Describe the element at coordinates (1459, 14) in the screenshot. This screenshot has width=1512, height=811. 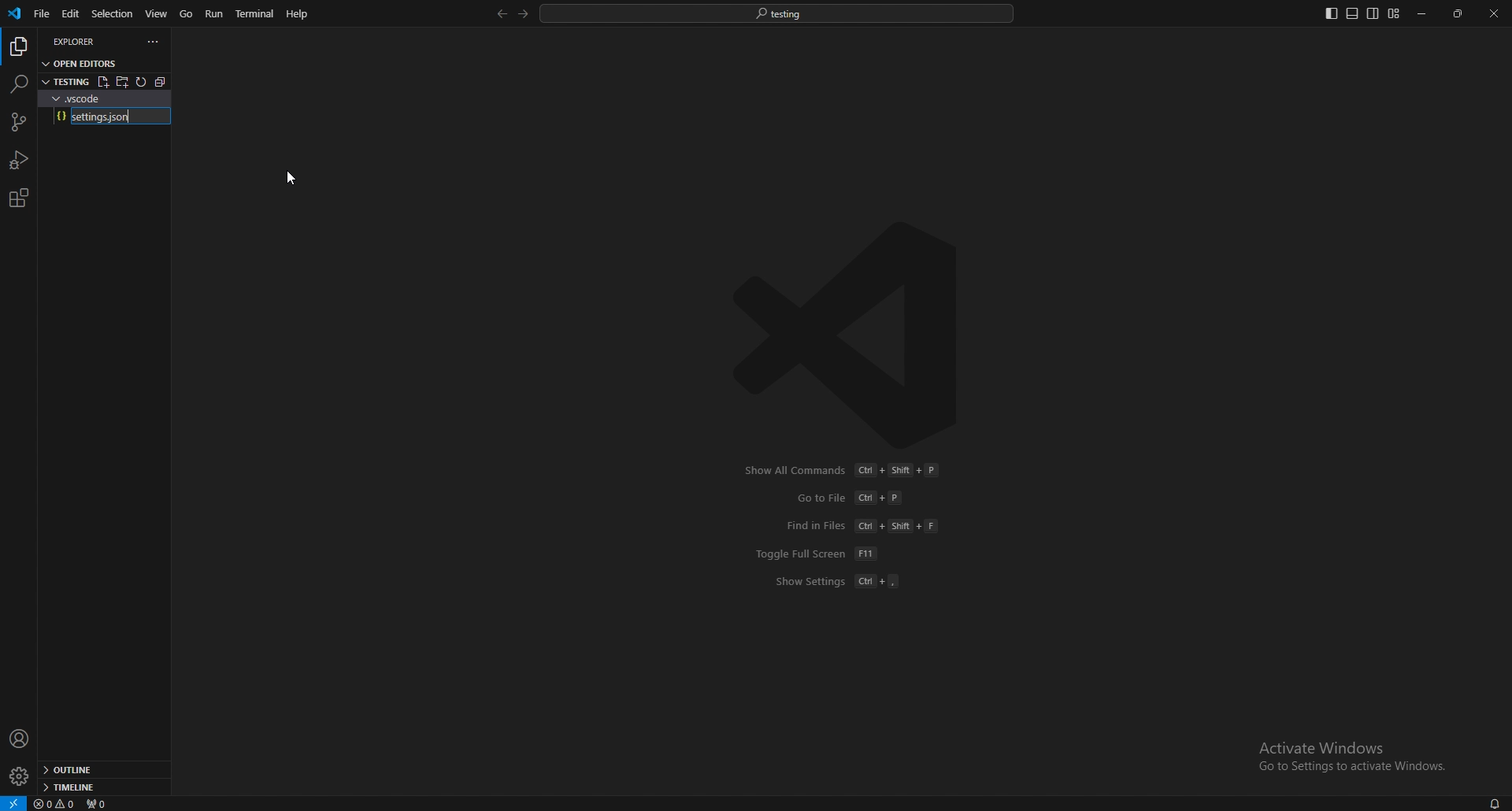
I see `resize` at that location.